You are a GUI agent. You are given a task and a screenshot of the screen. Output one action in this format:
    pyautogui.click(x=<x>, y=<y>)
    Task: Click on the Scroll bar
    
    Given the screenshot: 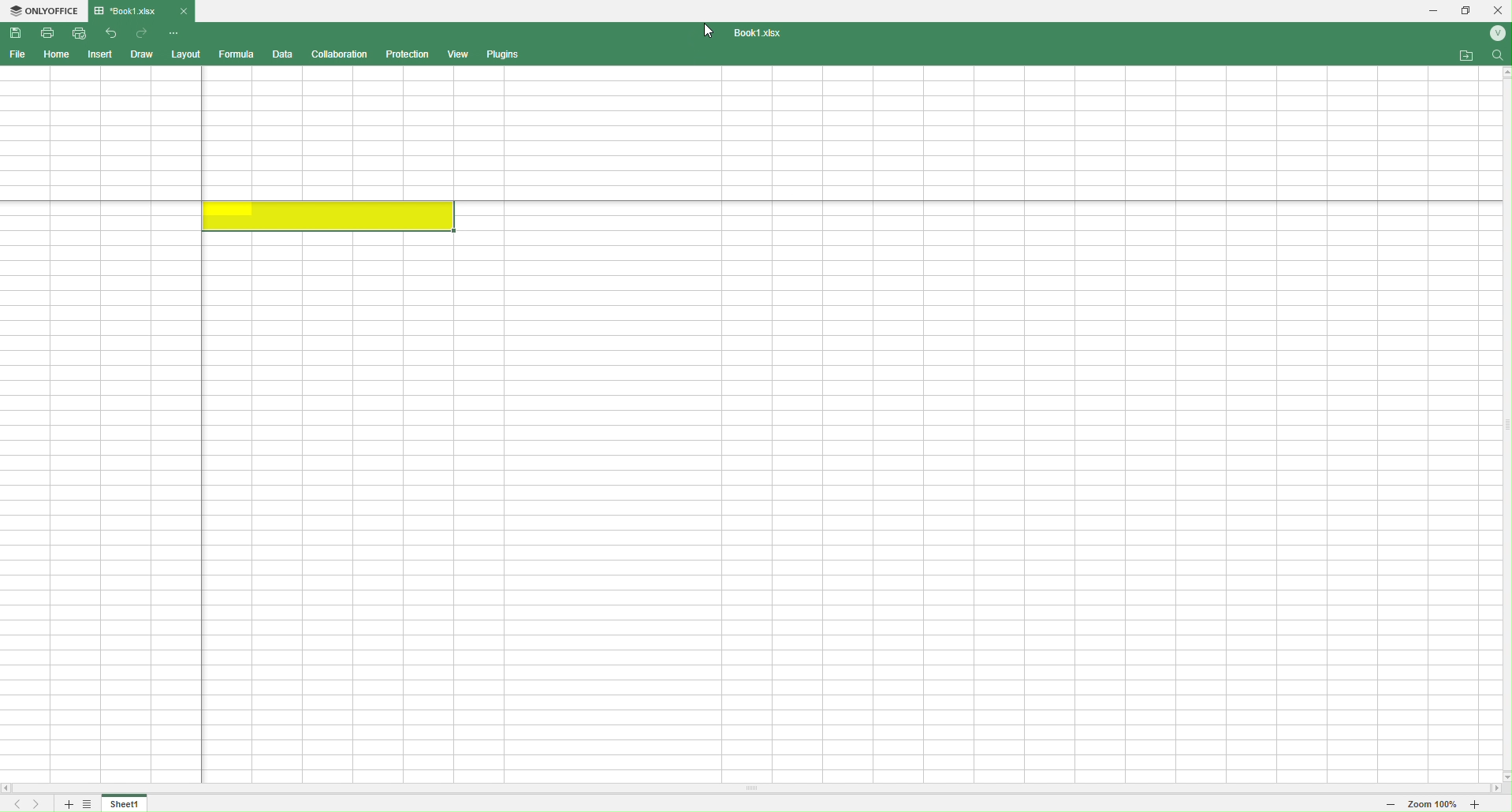 What is the action you would take?
    pyautogui.click(x=1502, y=425)
    